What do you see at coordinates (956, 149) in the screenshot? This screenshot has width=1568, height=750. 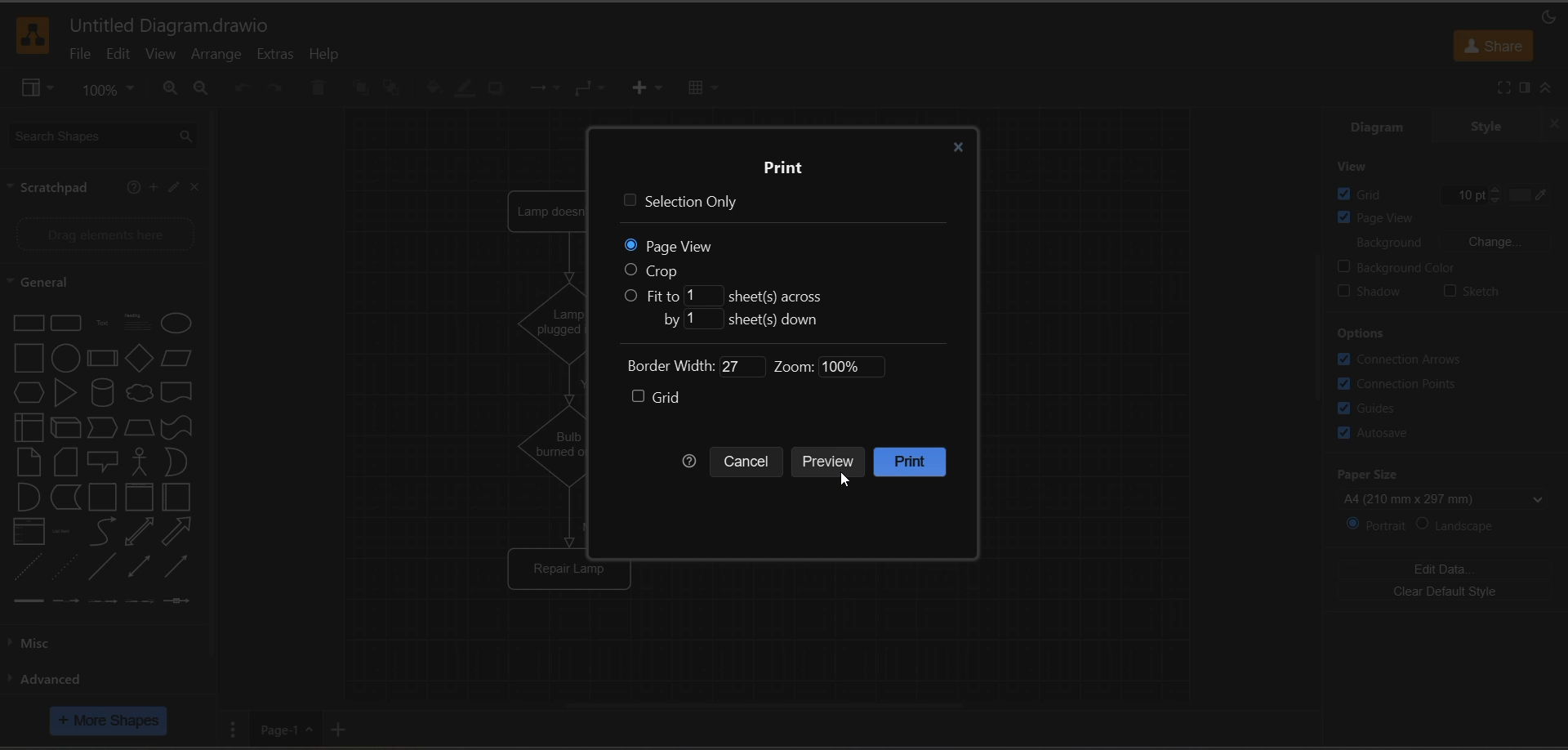 I see `close` at bounding box center [956, 149].